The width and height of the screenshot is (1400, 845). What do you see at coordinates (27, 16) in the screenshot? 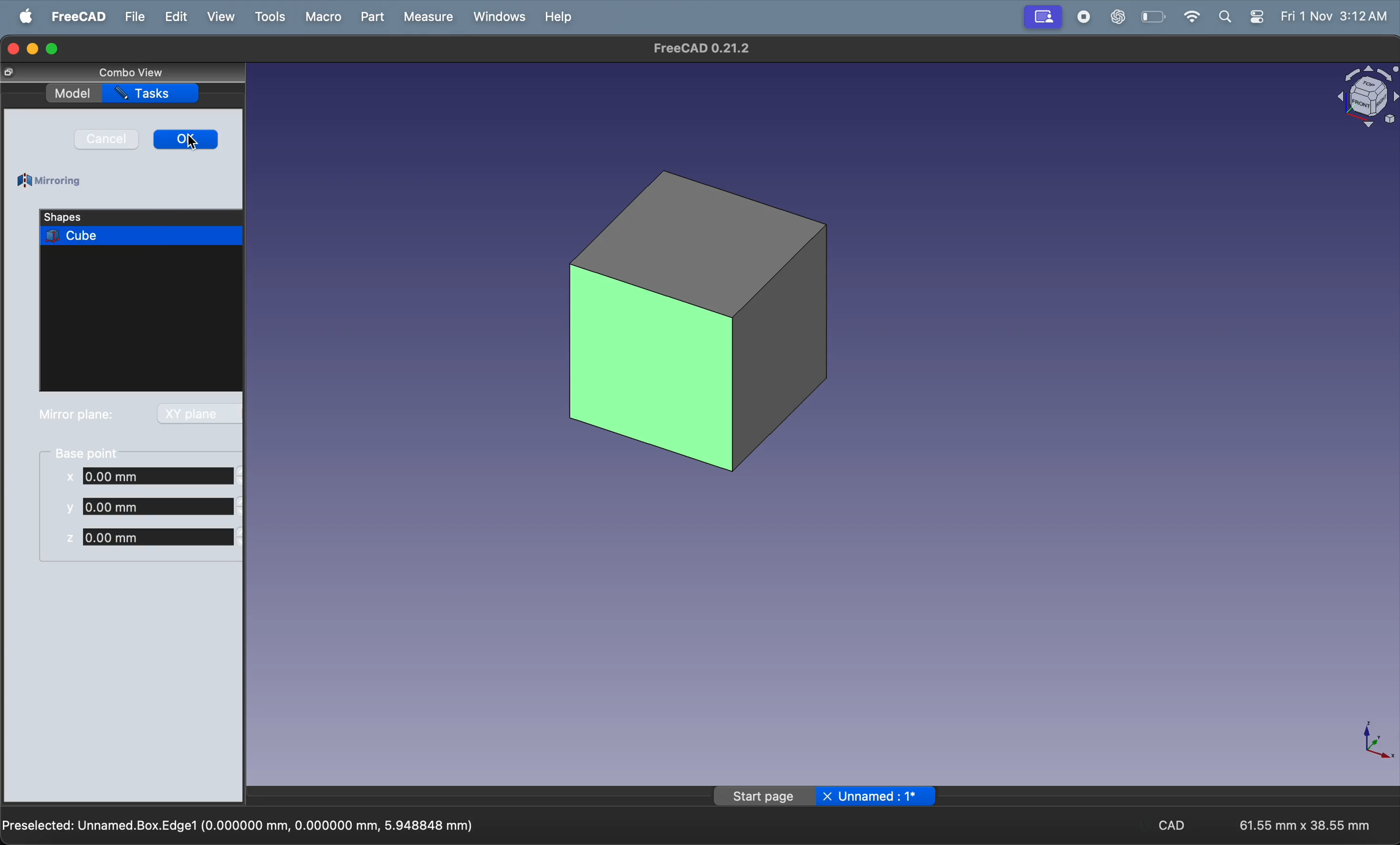
I see `apple menu` at bounding box center [27, 16].